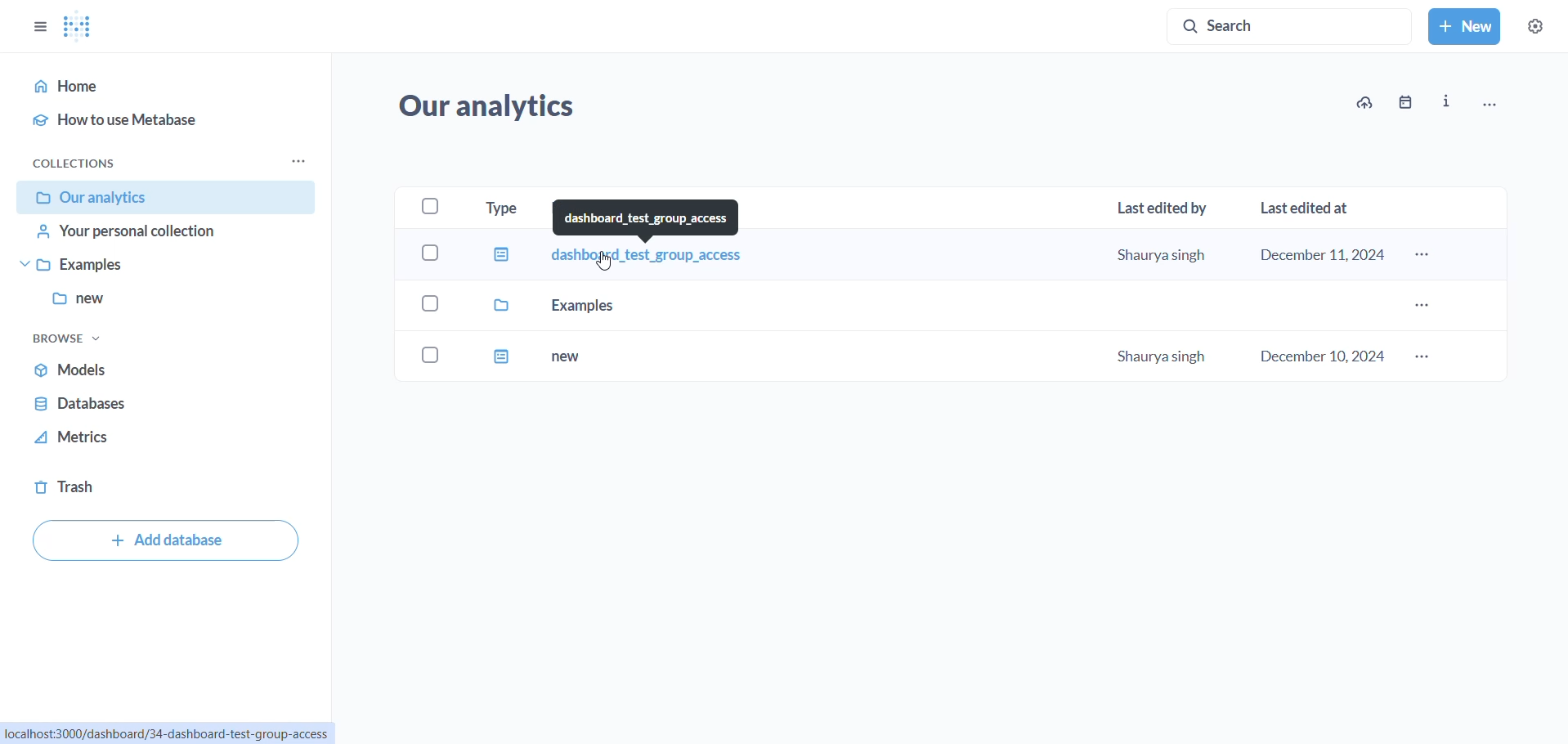 The height and width of the screenshot is (744, 1568). What do you see at coordinates (427, 256) in the screenshot?
I see `select checkbox` at bounding box center [427, 256].